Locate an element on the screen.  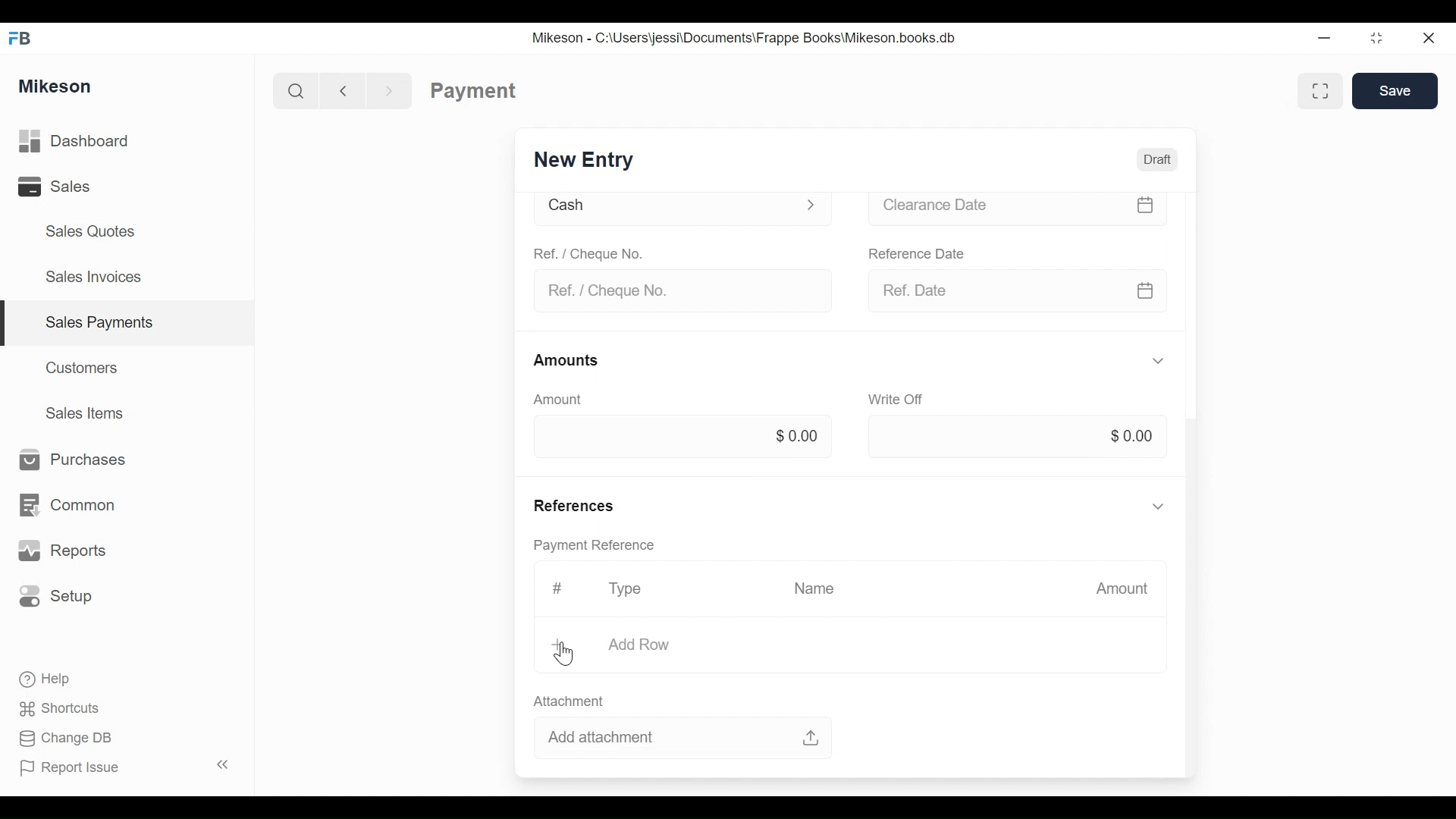
Amount is located at coordinates (1123, 588).